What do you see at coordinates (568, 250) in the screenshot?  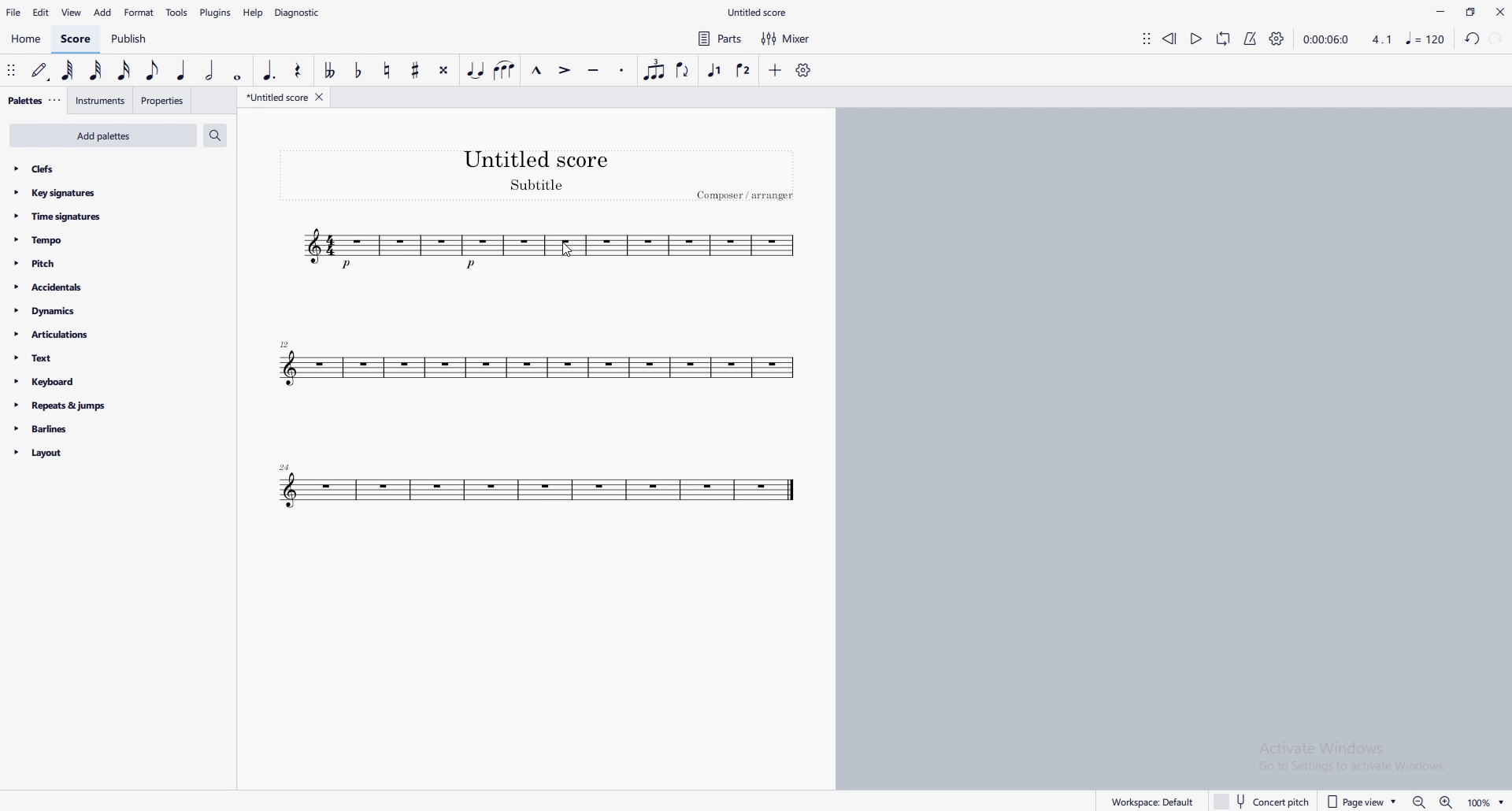 I see `cursor` at bounding box center [568, 250].